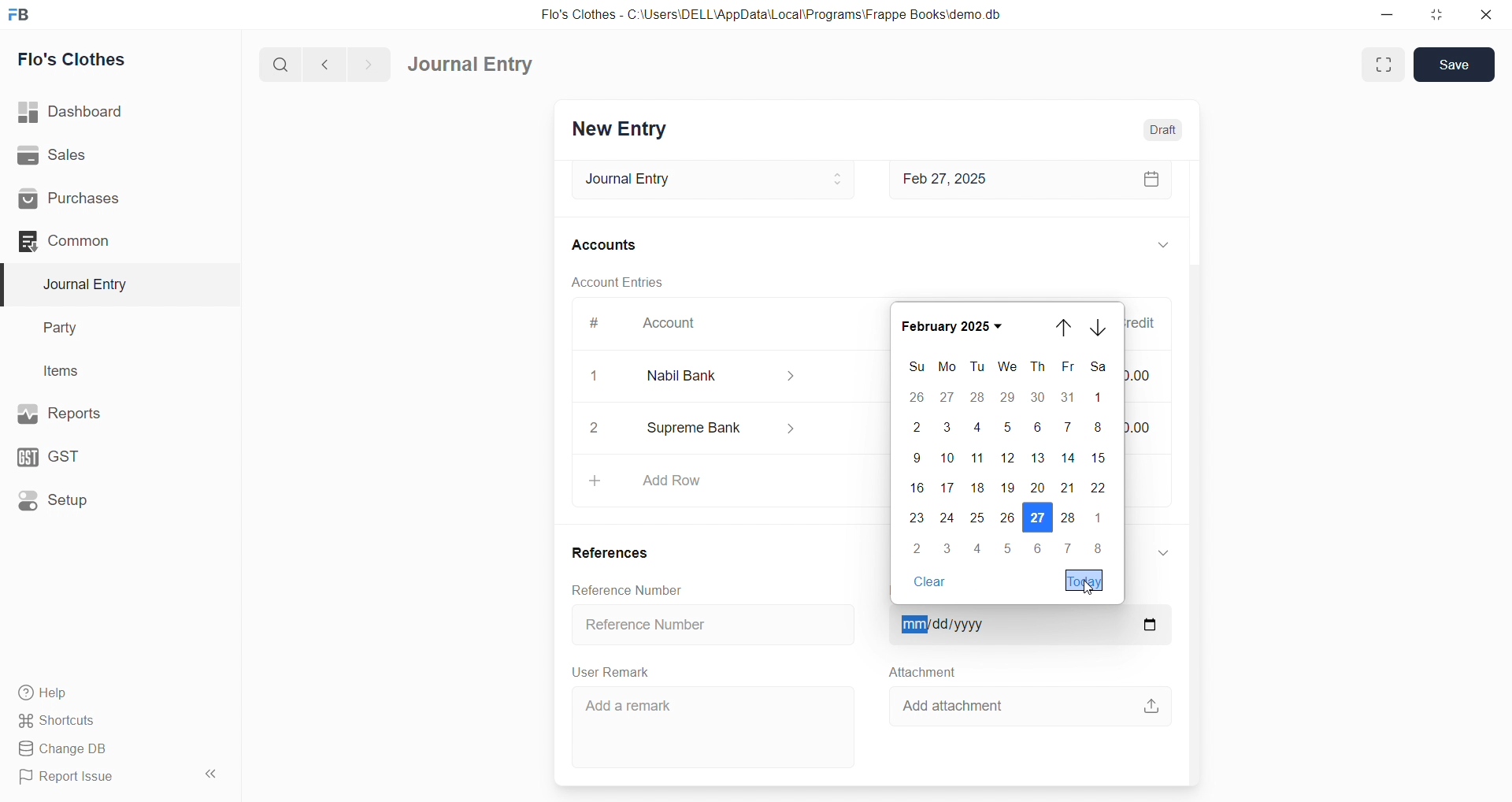 This screenshot has height=802, width=1512. I want to click on Accounts, so click(606, 247).